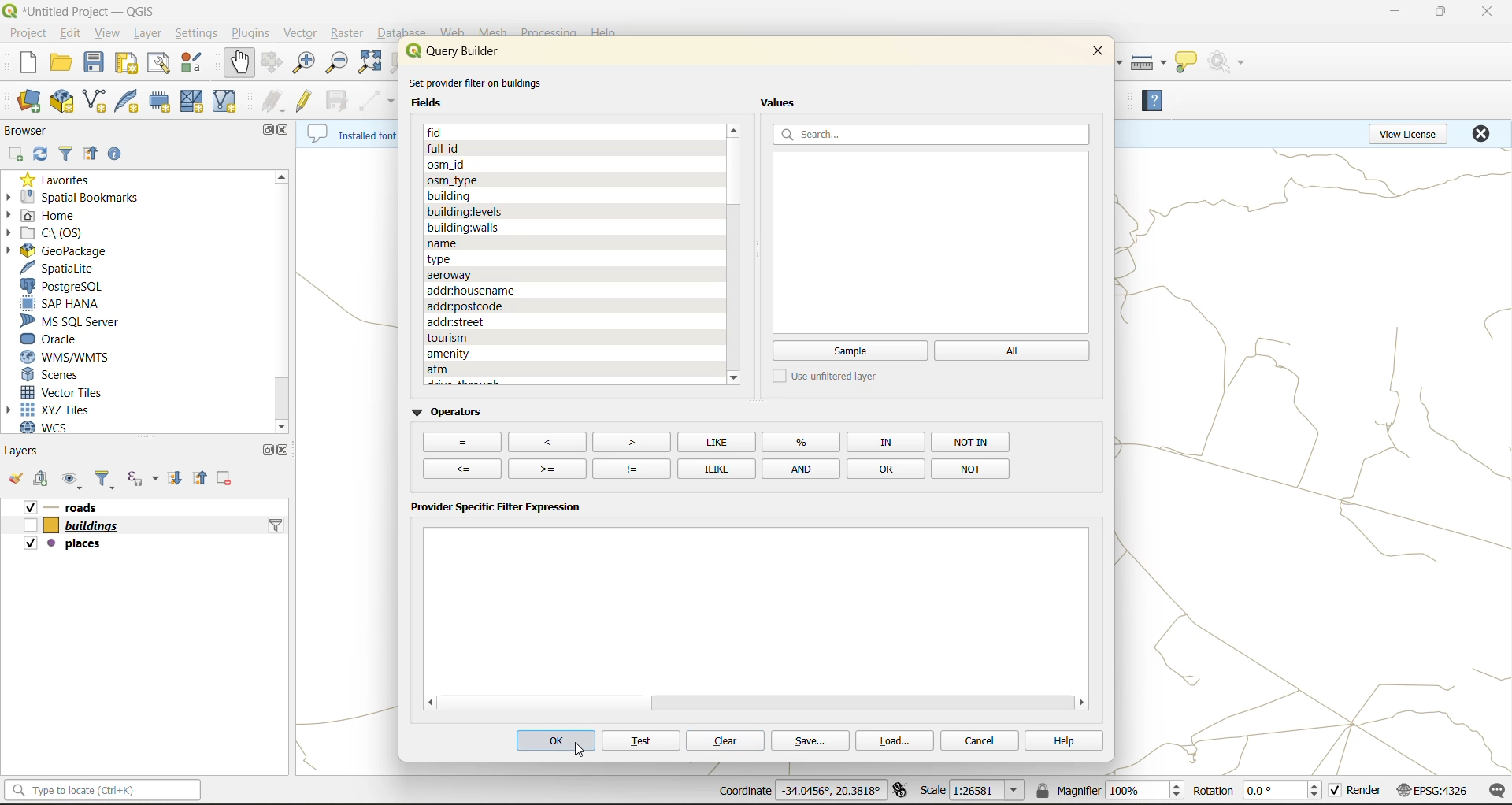 The image size is (1512, 805). Describe the element at coordinates (1434, 792) in the screenshot. I see `crs` at that location.